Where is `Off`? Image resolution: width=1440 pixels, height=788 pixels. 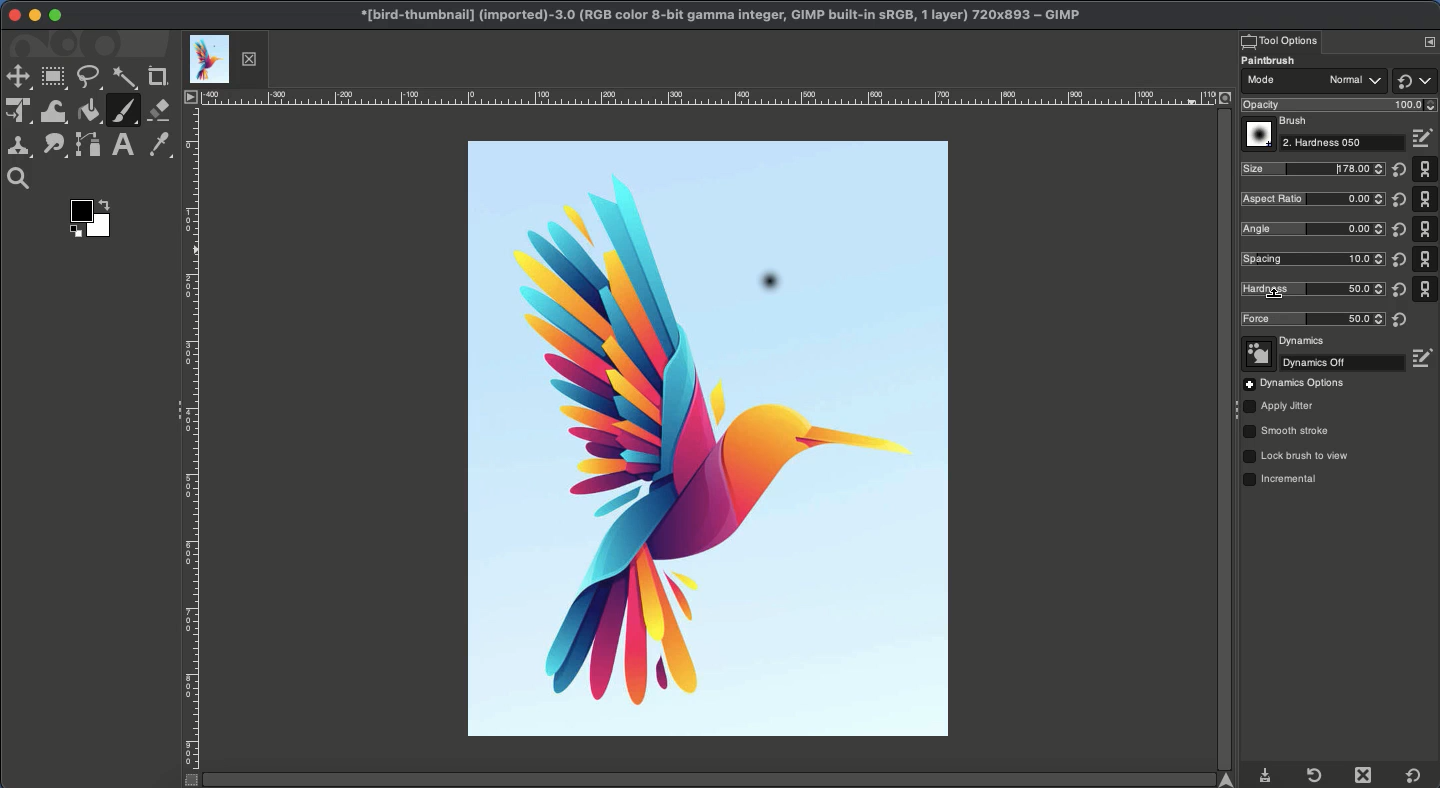
Off is located at coordinates (1324, 363).